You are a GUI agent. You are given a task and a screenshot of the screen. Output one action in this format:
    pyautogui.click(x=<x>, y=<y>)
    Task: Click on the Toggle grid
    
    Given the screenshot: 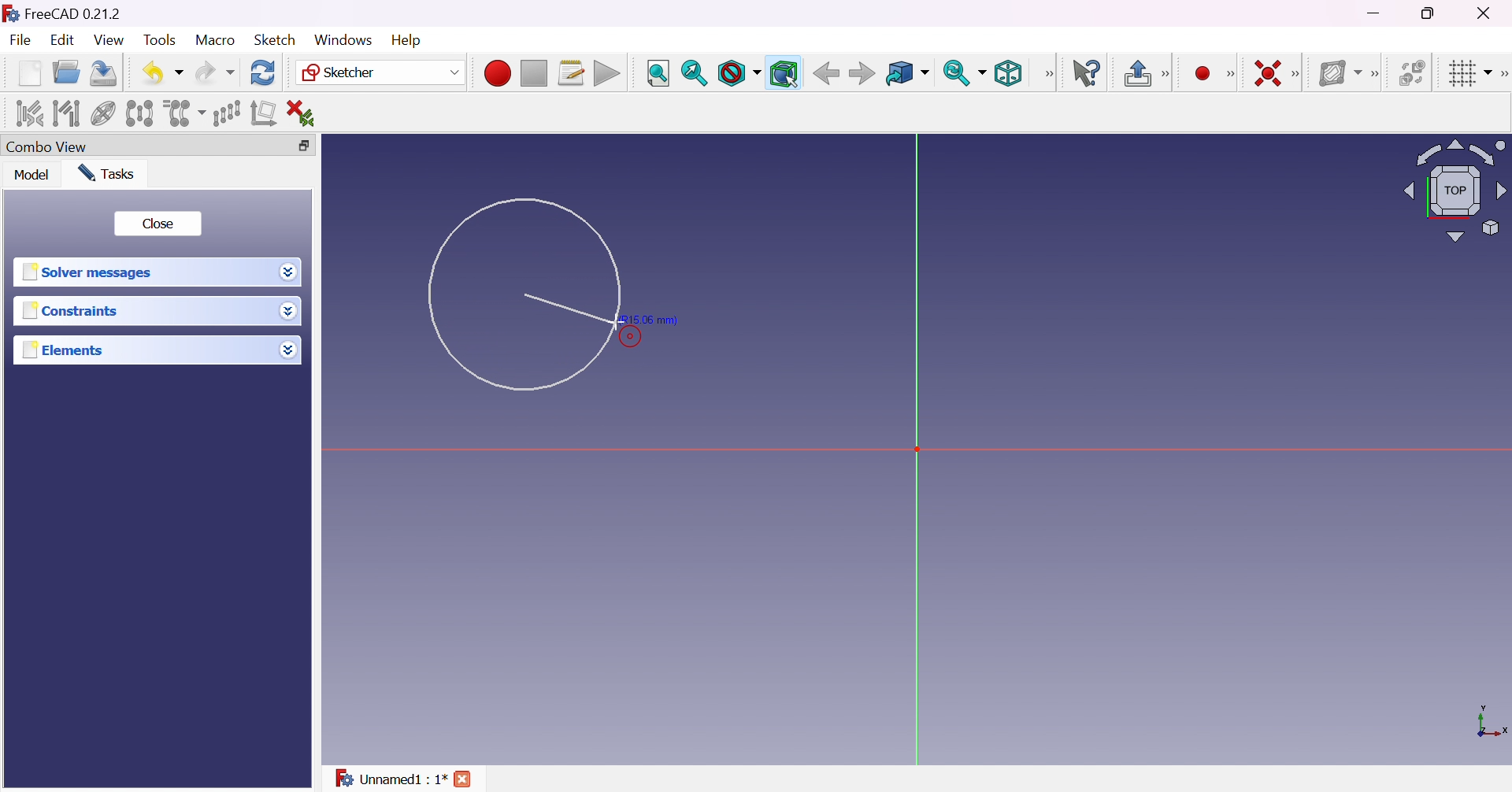 What is the action you would take?
    pyautogui.click(x=1468, y=72)
    